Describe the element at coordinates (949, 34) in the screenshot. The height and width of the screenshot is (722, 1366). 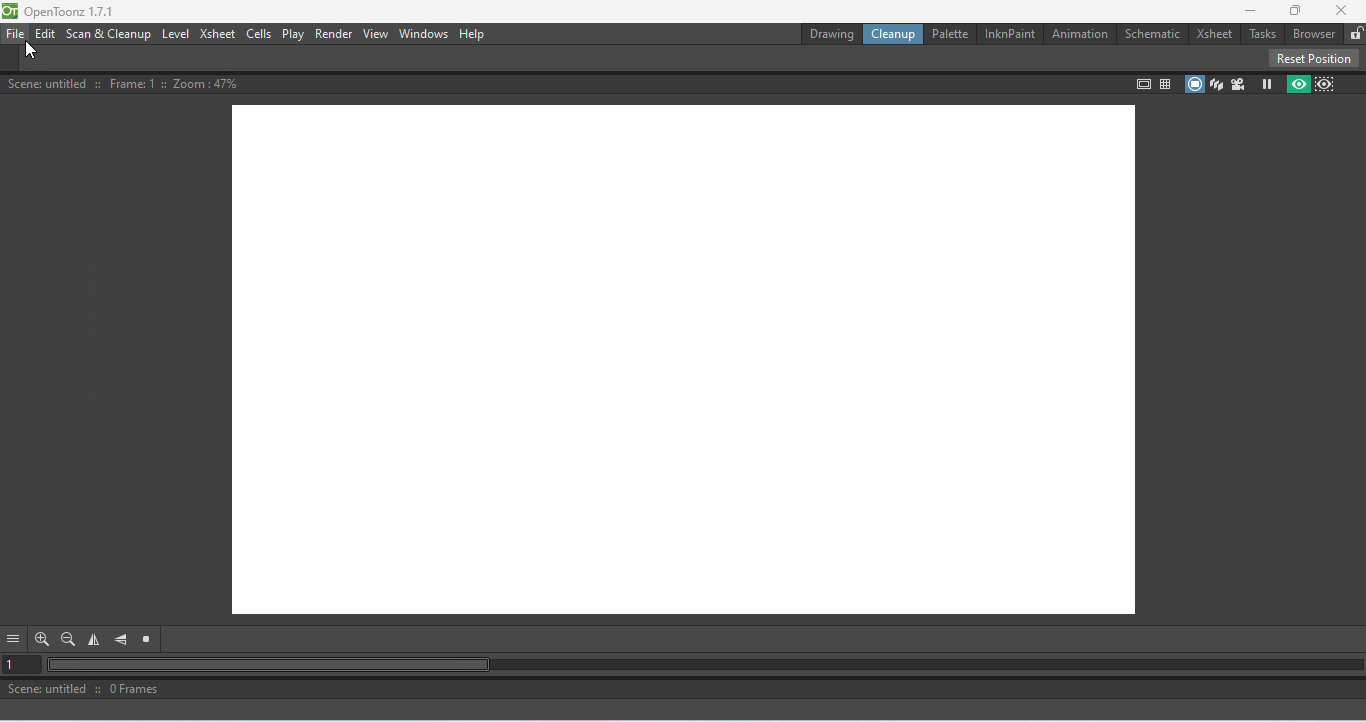
I see `Palettte` at that location.